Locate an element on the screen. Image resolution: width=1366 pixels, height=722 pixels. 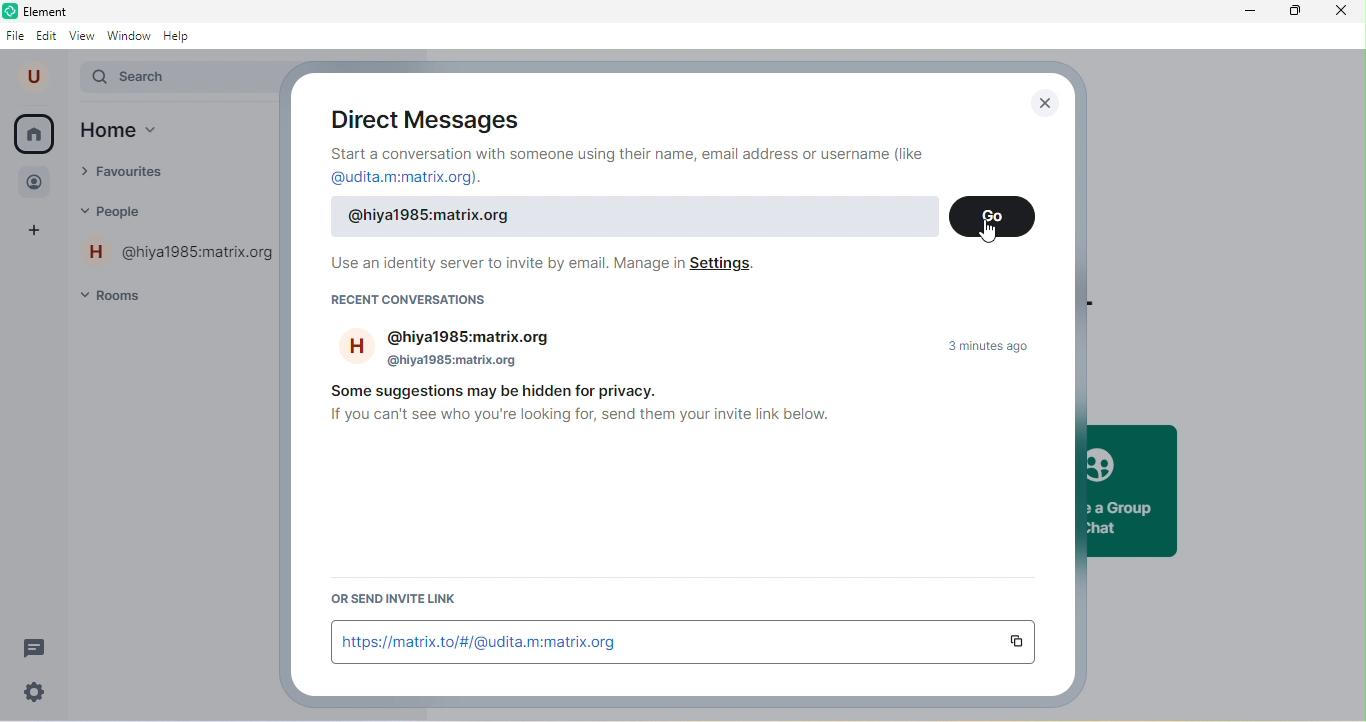
title is located at coordinates (60, 10).